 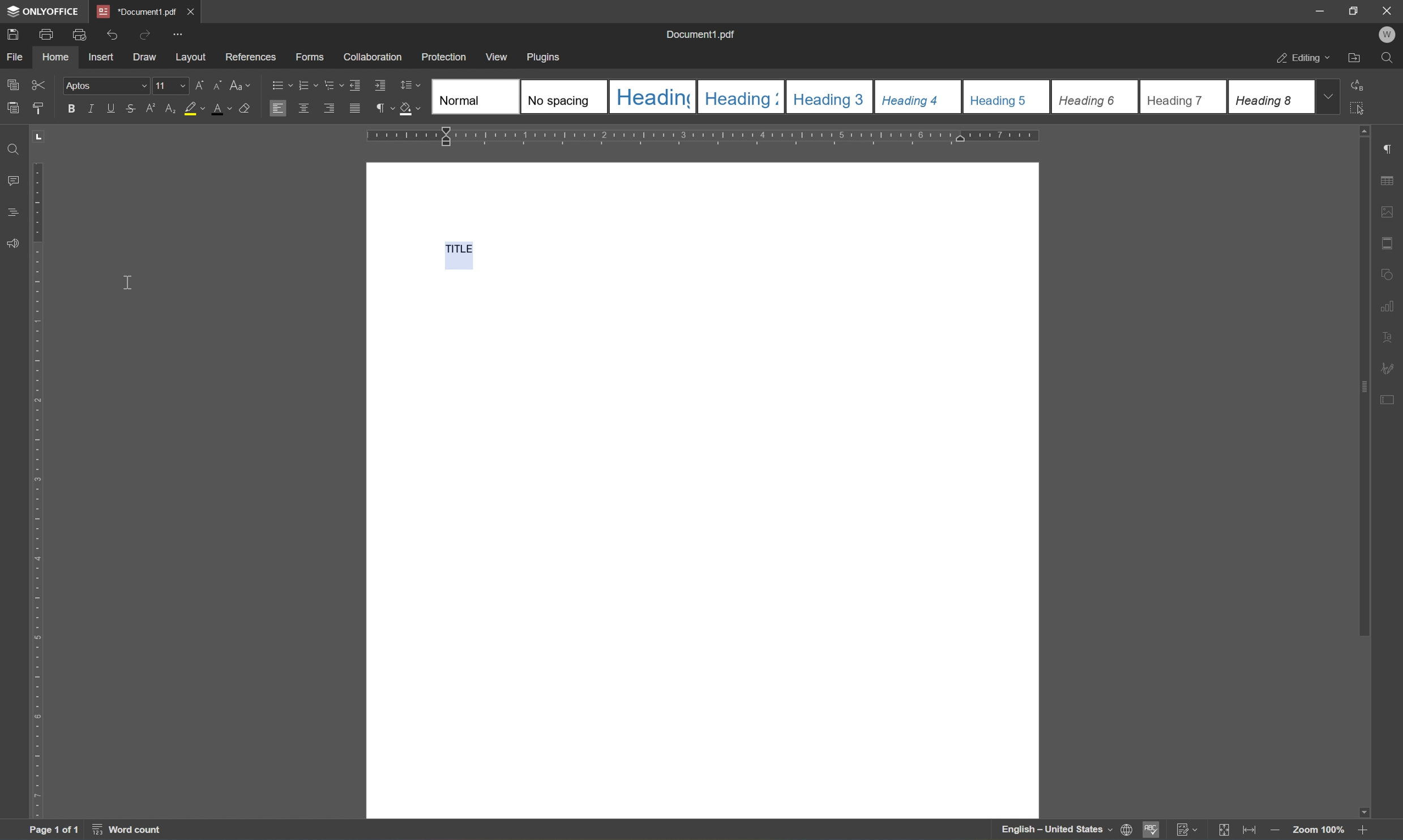 What do you see at coordinates (130, 831) in the screenshot?
I see `word count` at bounding box center [130, 831].